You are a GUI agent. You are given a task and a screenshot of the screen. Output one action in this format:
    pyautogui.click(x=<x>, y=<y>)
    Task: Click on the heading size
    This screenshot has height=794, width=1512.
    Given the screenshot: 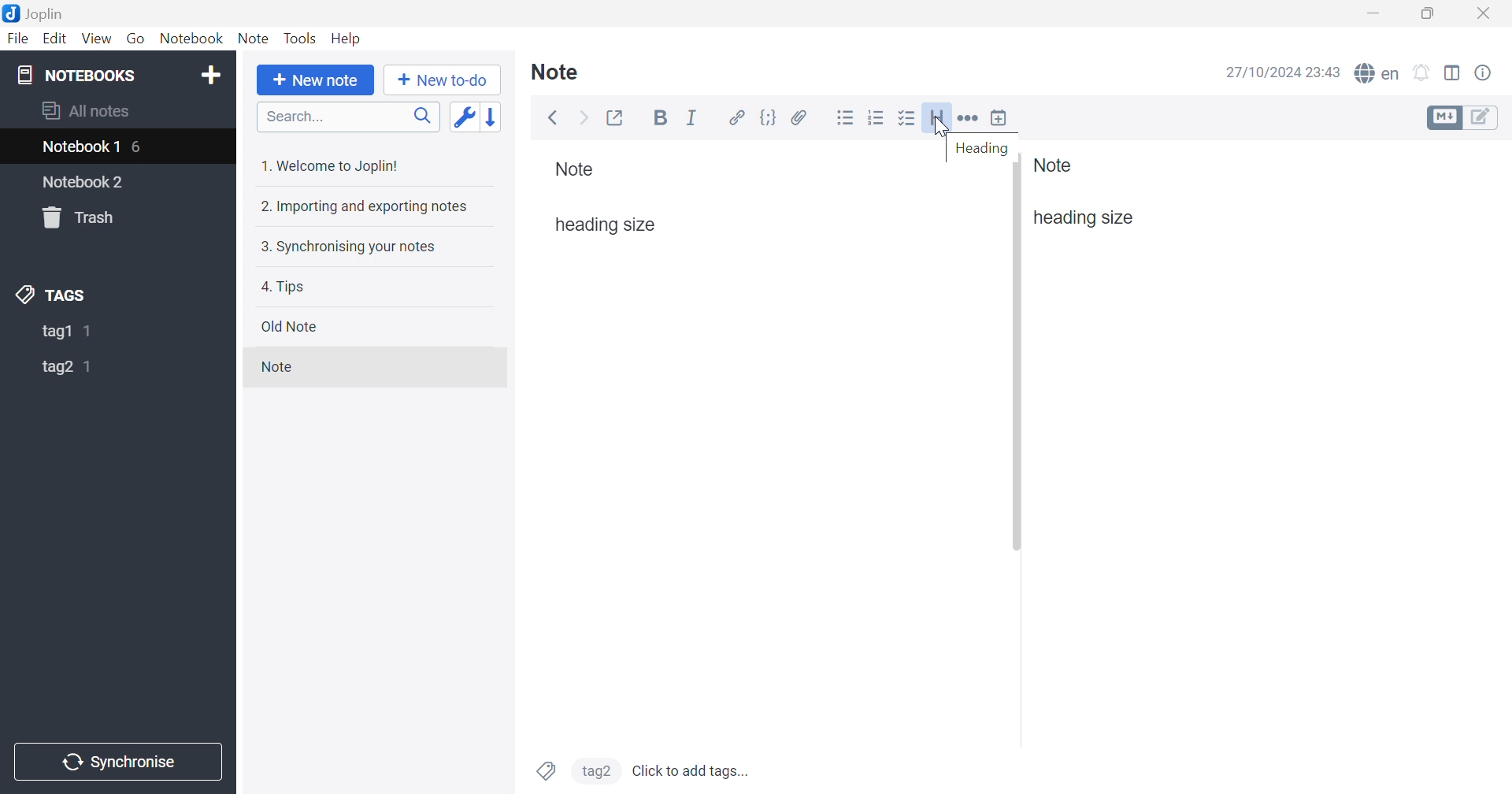 What is the action you would take?
    pyautogui.click(x=1084, y=218)
    